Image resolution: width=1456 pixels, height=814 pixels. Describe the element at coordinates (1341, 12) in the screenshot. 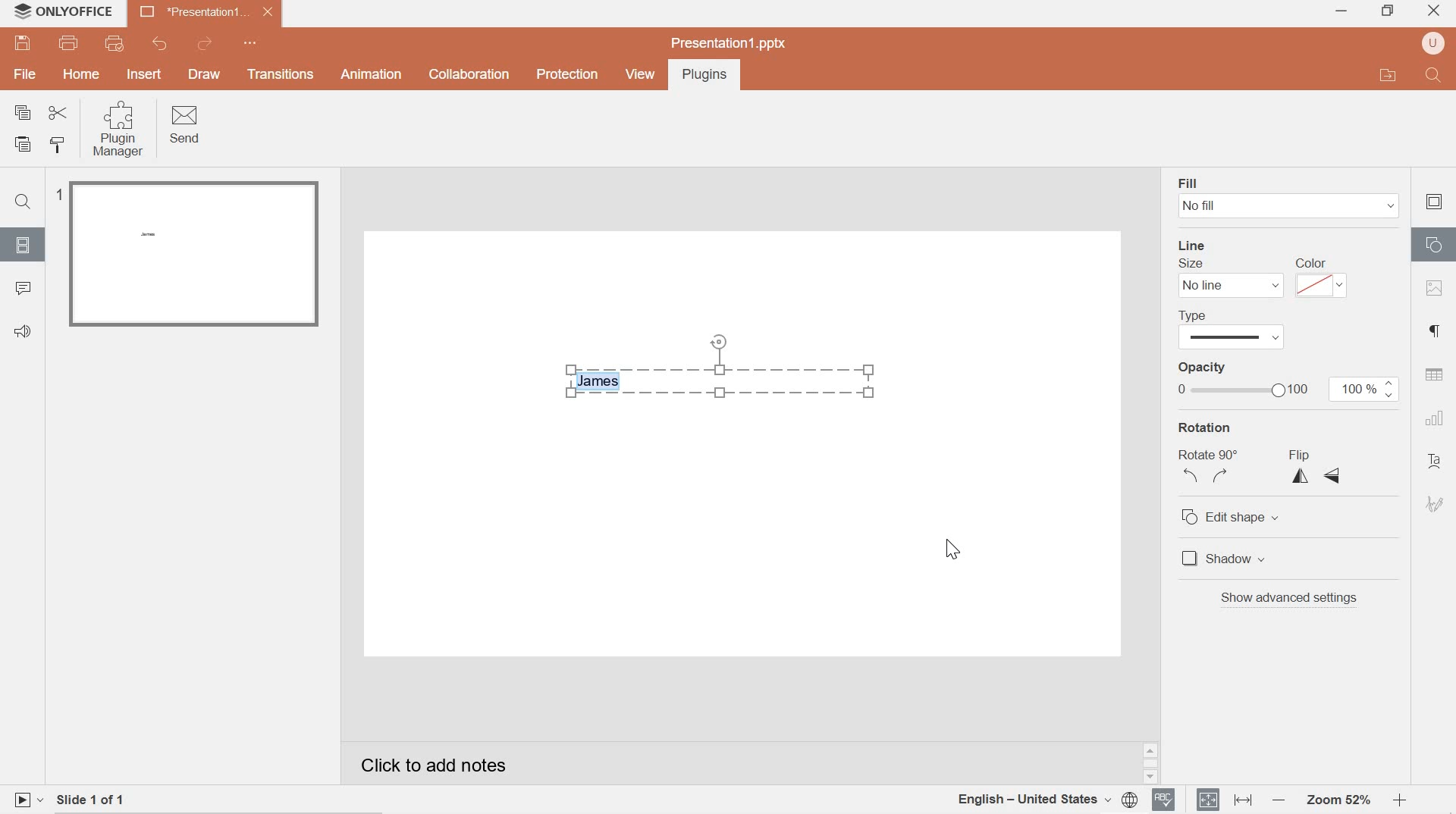

I see `minimize` at that location.